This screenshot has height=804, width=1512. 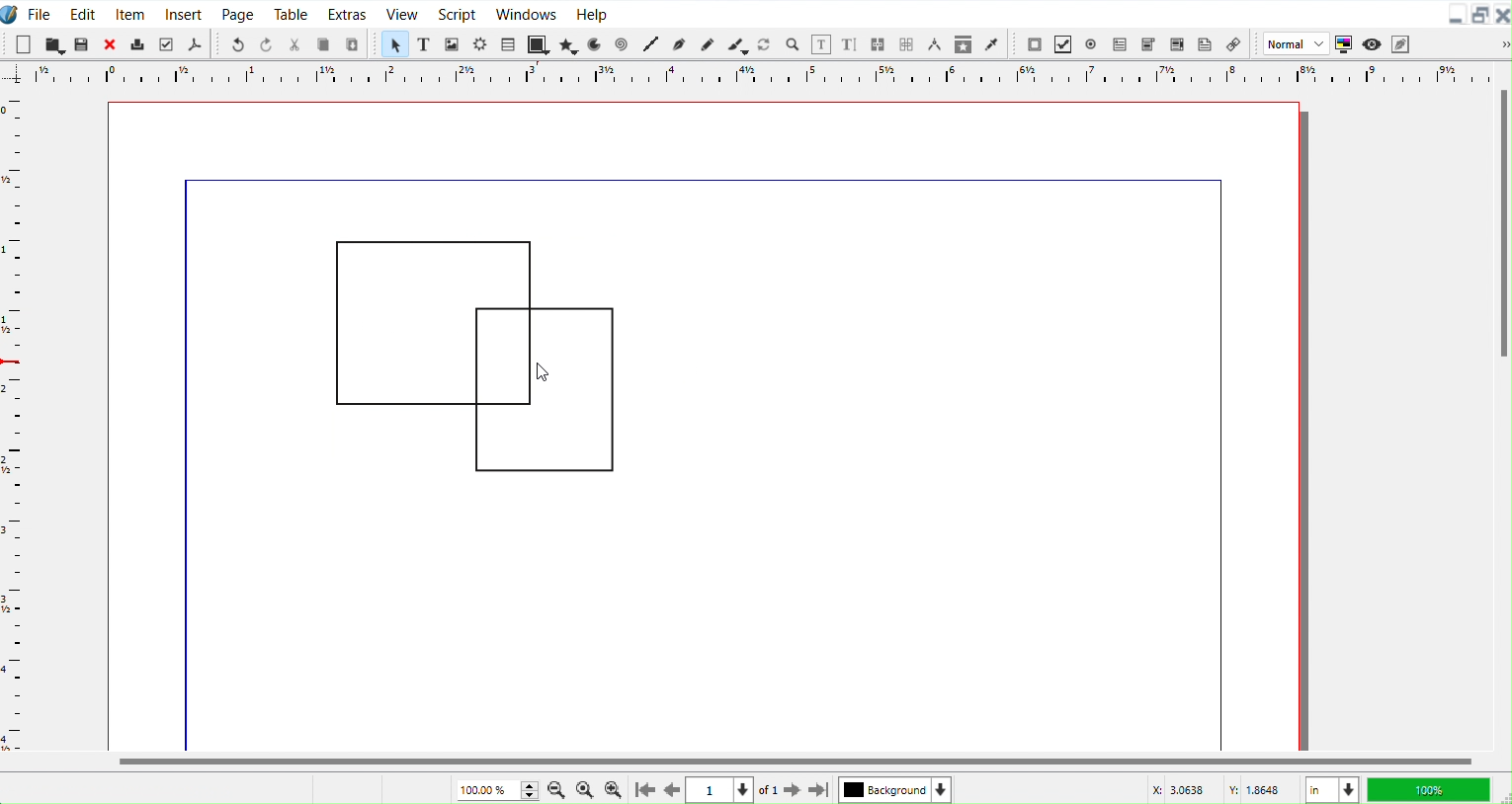 What do you see at coordinates (966, 43) in the screenshot?
I see `Copy Item Properties` at bounding box center [966, 43].